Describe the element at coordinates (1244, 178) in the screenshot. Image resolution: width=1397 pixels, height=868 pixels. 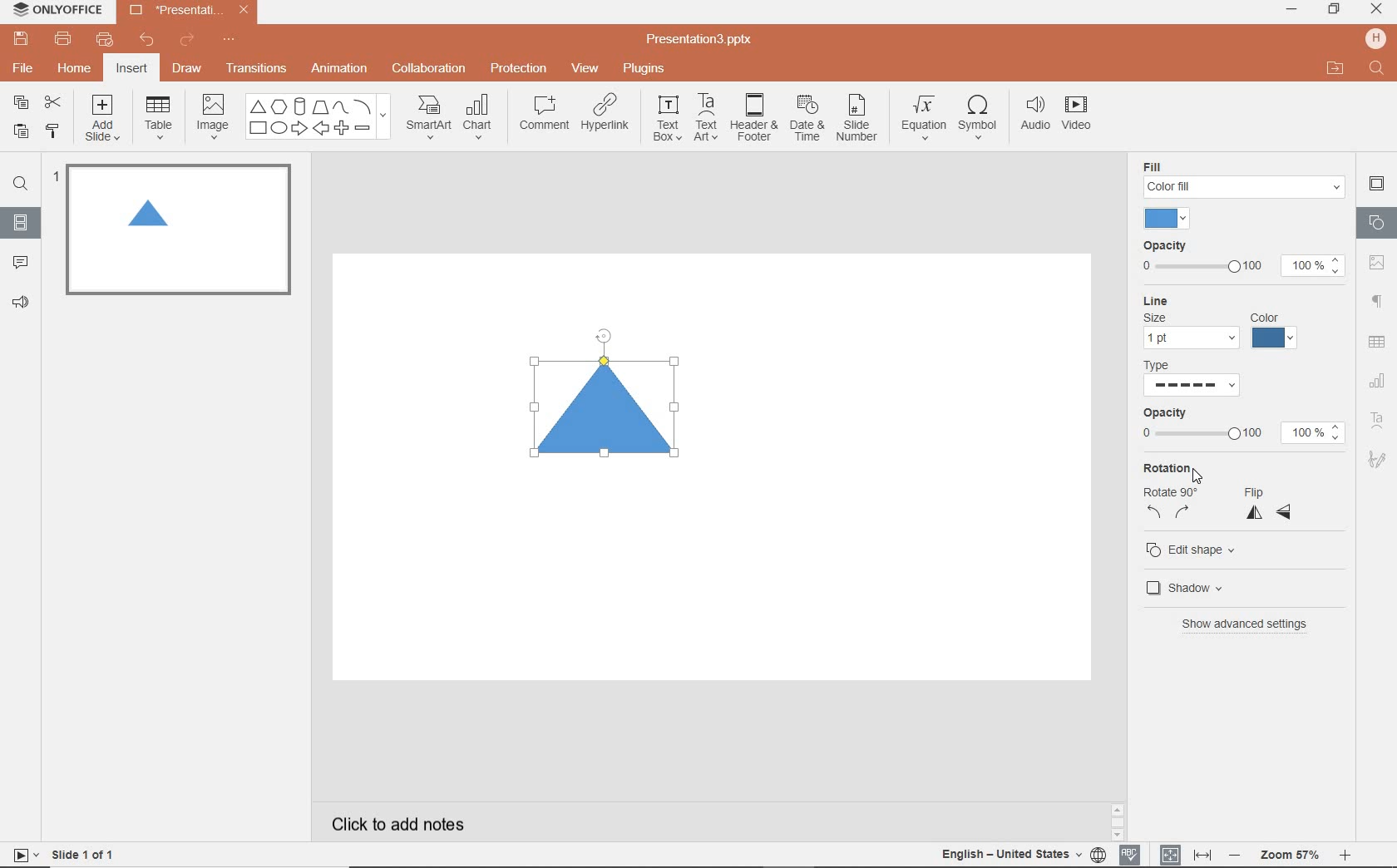
I see `fill` at that location.